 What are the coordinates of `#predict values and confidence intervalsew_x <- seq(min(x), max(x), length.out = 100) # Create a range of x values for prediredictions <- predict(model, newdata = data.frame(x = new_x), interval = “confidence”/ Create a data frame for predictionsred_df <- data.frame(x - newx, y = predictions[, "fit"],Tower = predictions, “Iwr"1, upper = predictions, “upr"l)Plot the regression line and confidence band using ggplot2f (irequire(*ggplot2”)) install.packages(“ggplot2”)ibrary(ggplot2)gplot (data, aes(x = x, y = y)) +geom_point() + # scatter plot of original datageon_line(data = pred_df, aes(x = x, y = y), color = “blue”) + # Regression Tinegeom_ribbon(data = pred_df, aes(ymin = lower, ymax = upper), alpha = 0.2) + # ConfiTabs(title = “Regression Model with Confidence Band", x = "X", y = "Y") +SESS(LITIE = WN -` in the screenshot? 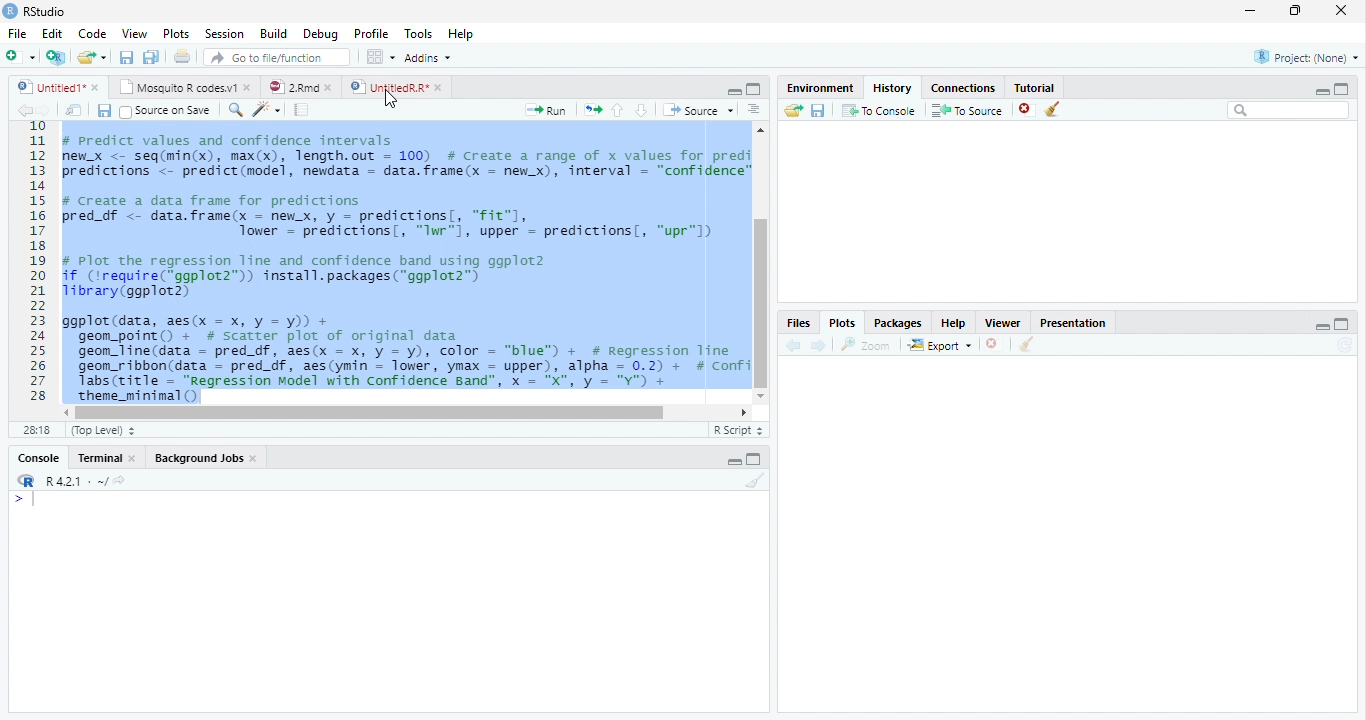 It's located at (404, 267).